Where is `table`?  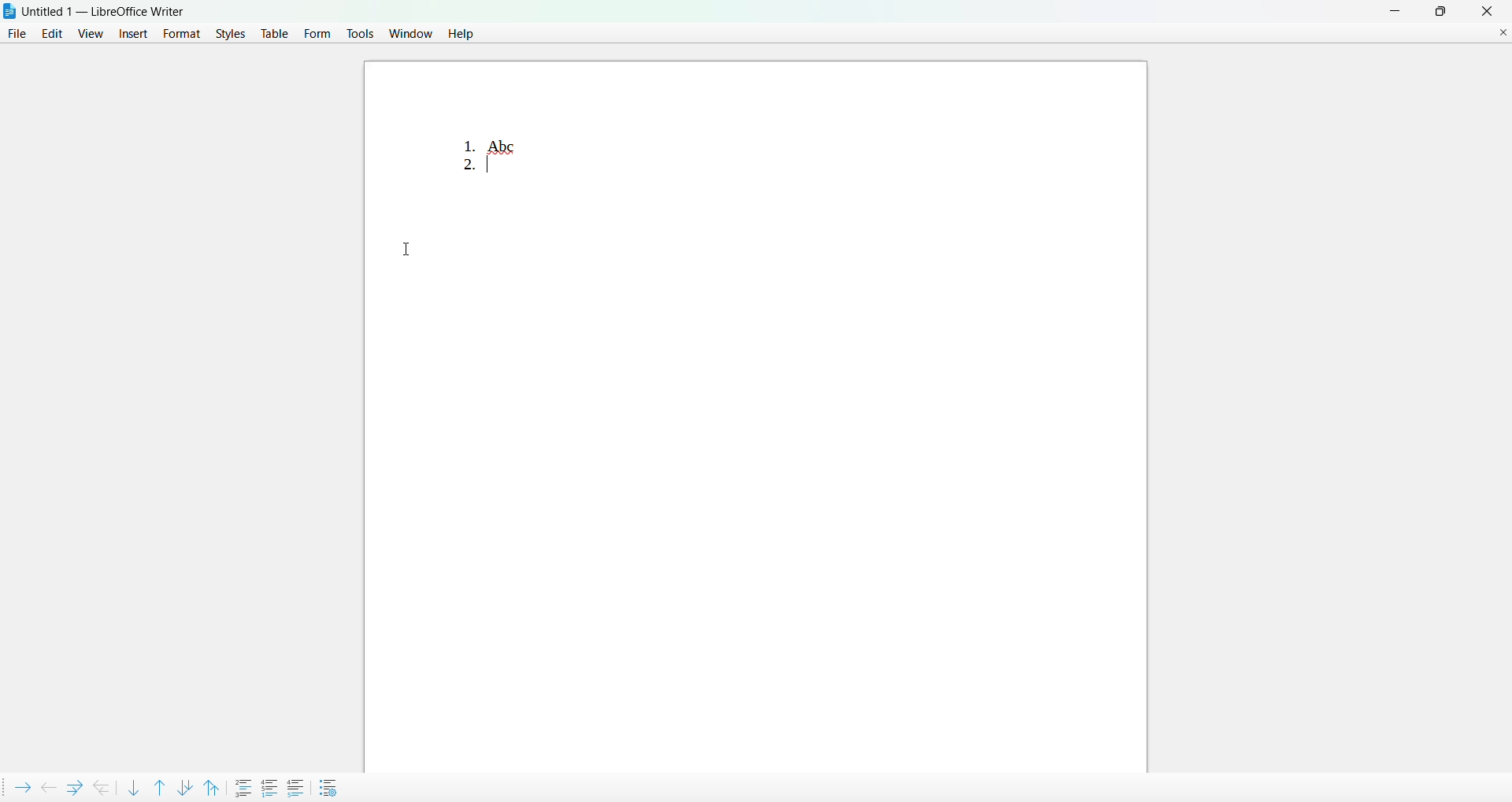
table is located at coordinates (274, 35).